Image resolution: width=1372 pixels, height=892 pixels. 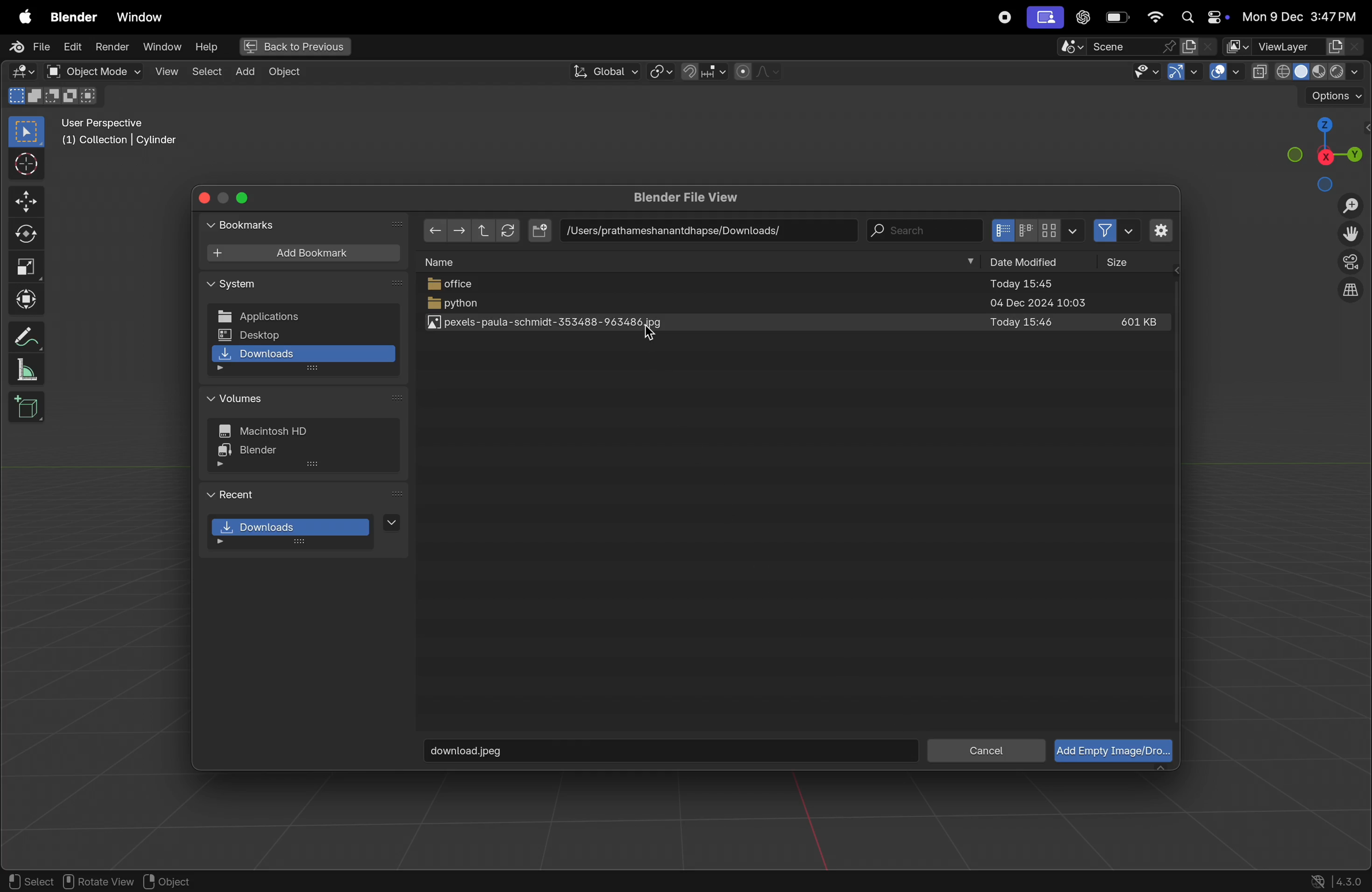 I want to click on back to previous, so click(x=293, y=44).